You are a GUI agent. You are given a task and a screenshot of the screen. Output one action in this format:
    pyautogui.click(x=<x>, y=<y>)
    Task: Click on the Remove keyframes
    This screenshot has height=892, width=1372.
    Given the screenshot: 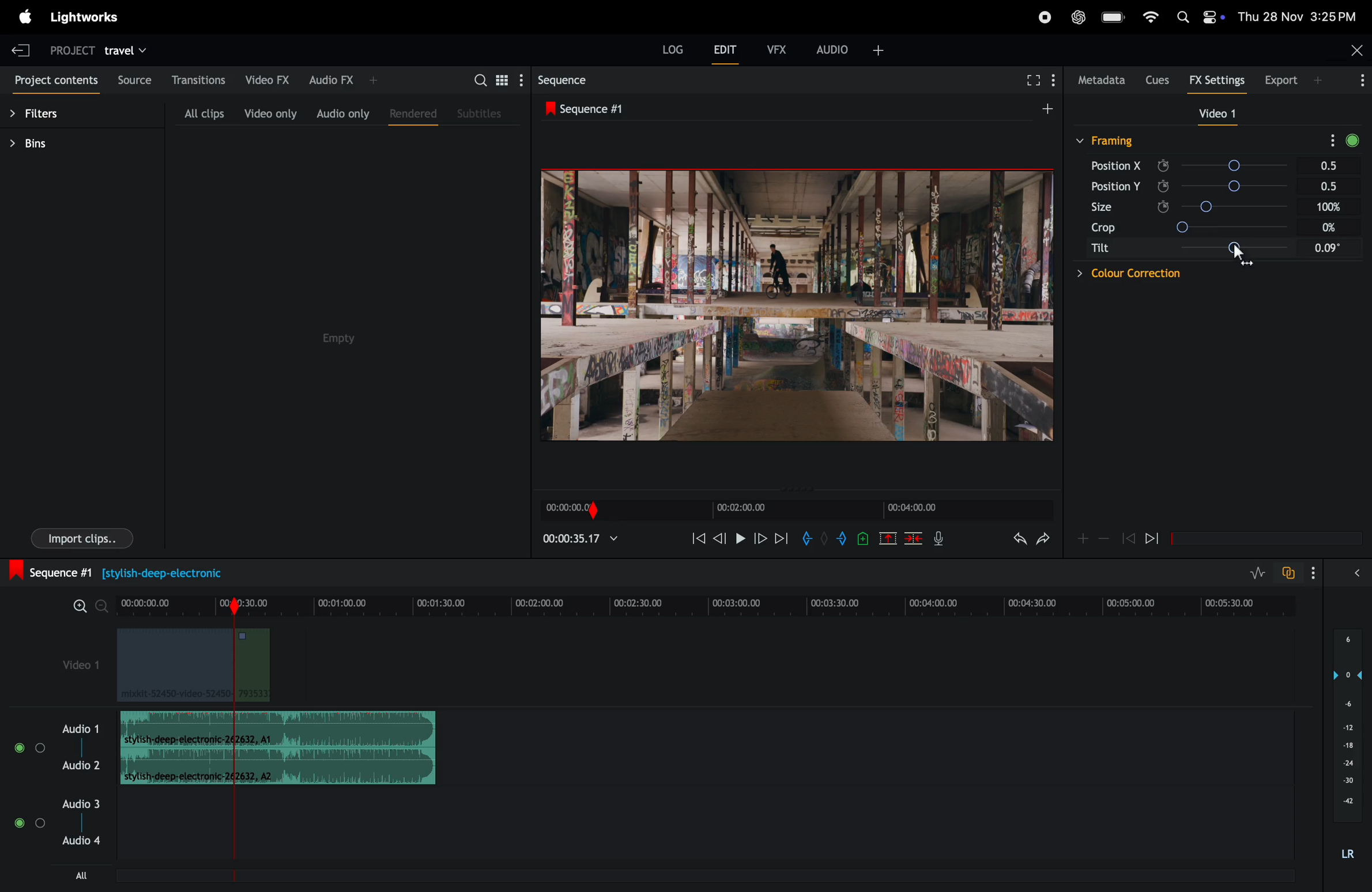 What is the action you would take?
    pyautogui.click(x=1105, y=542)
    